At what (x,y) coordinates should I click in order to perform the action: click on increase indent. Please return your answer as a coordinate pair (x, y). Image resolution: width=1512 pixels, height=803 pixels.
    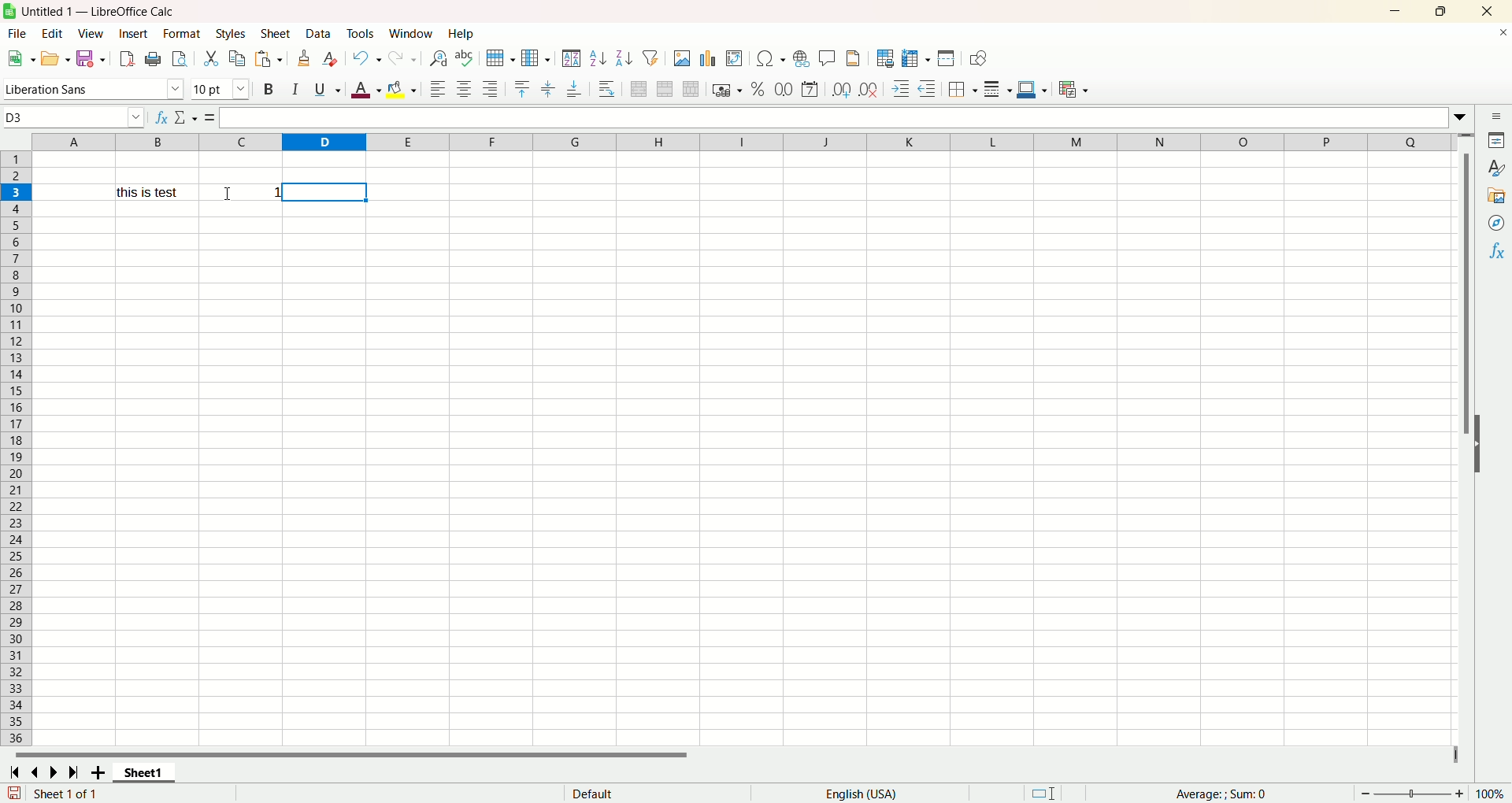
    Looking at the image, I should click on (902, 88).